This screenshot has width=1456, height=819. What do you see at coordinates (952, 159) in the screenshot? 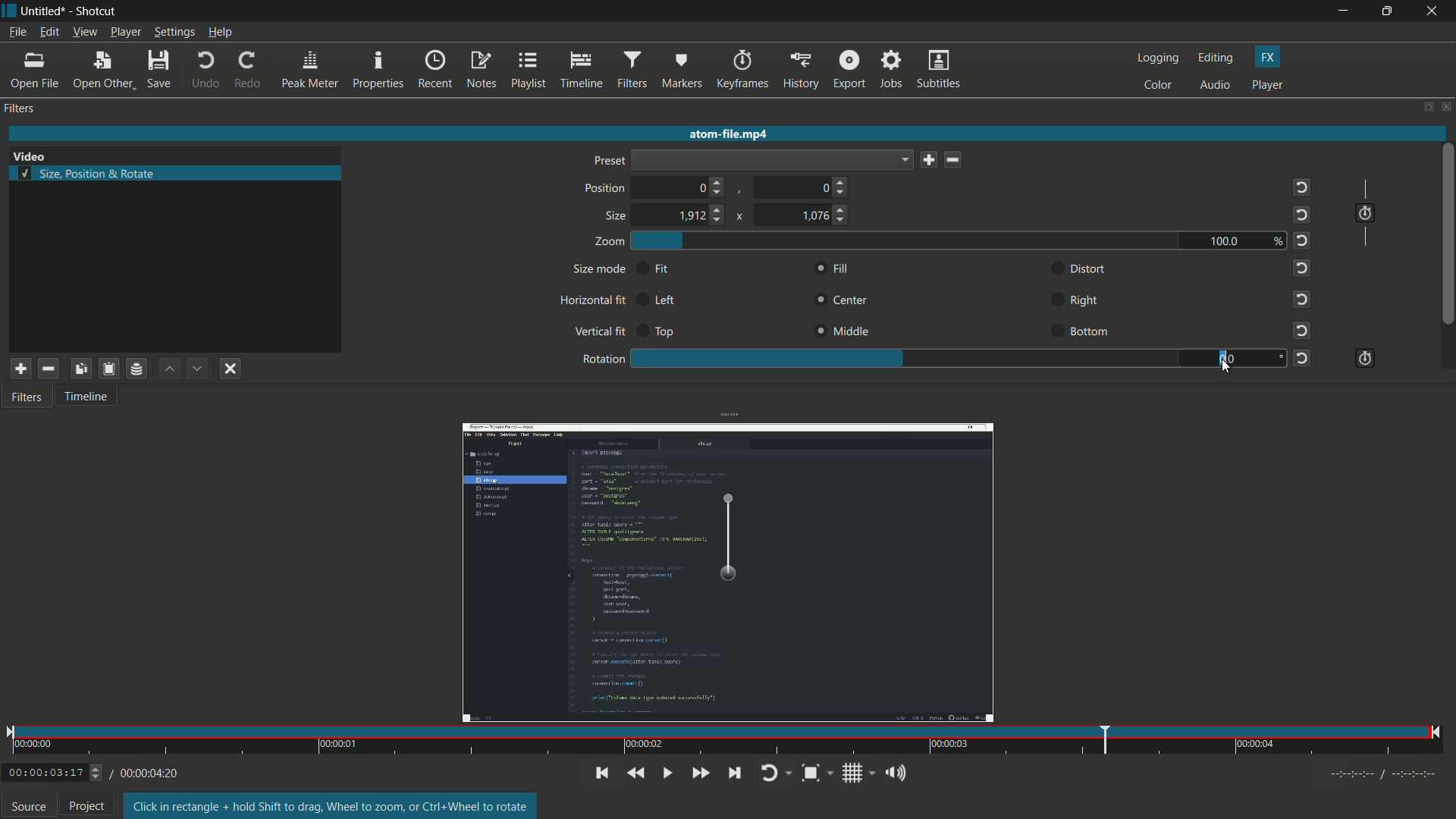
I see `delete` at bounding box center [952, 159].